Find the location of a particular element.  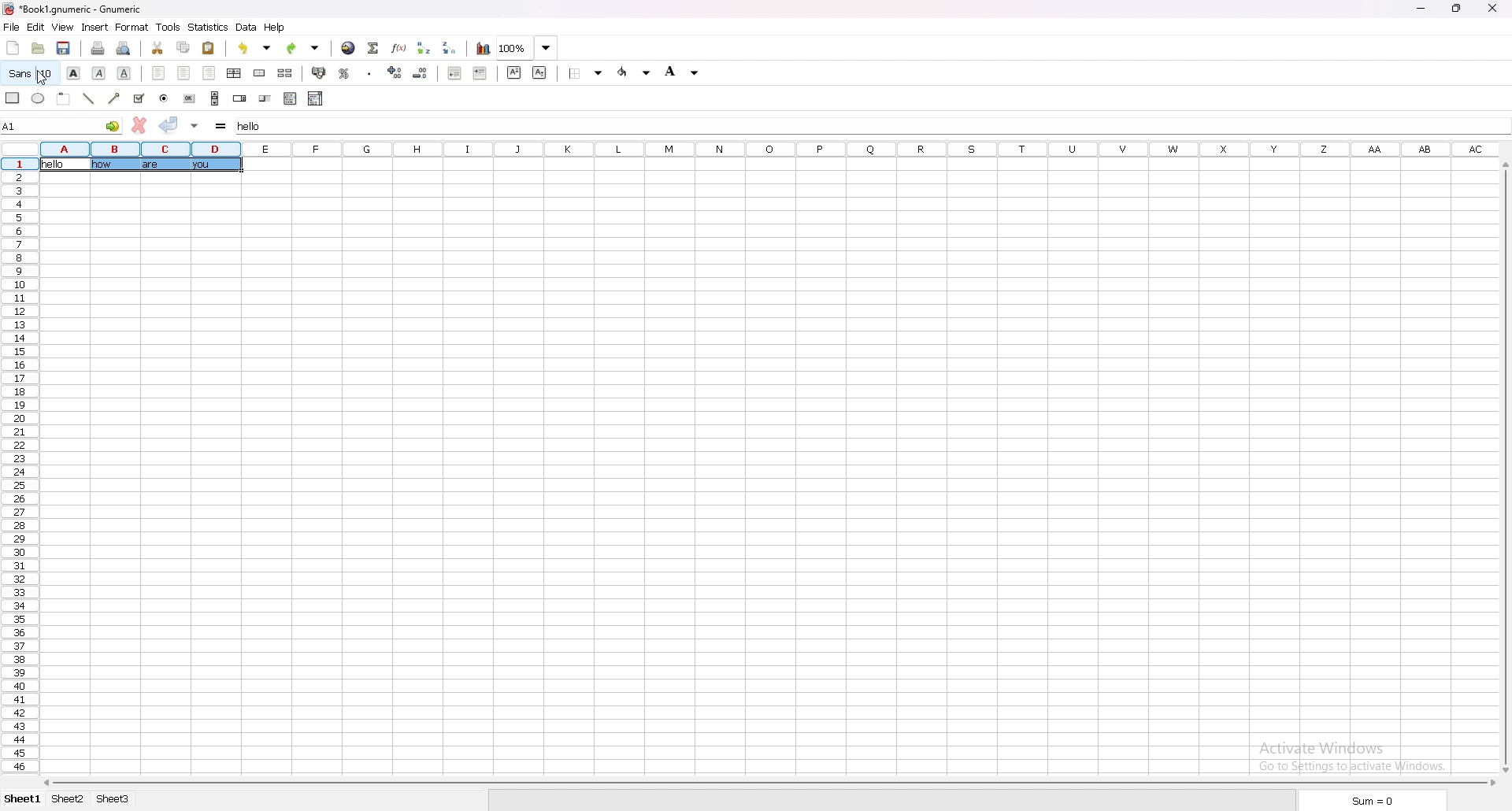

print is located at coordinates (100, 47).